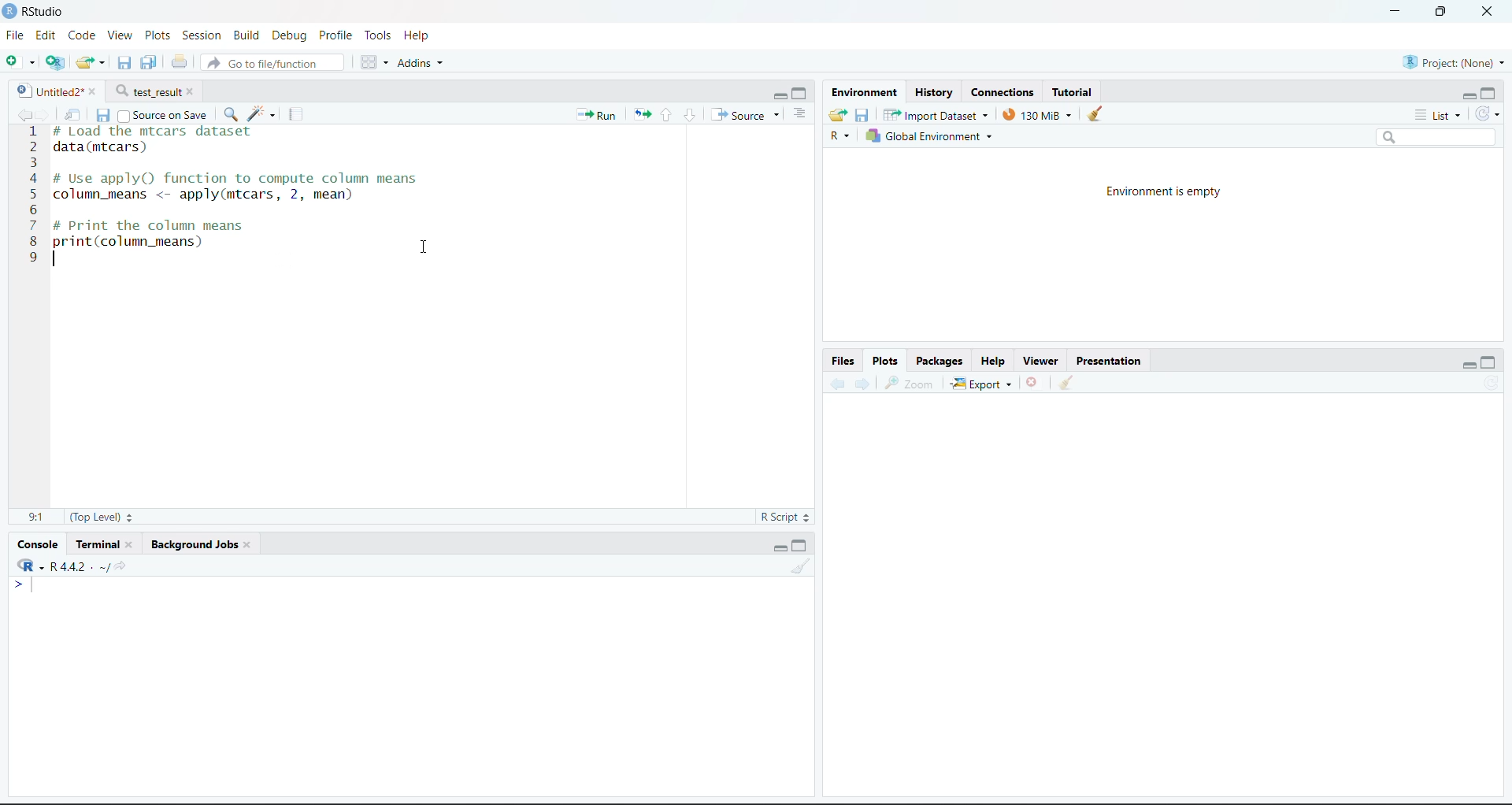  Describe the element at coordinates (54, 62) in the screenshot. I see `Create a project` at that location.